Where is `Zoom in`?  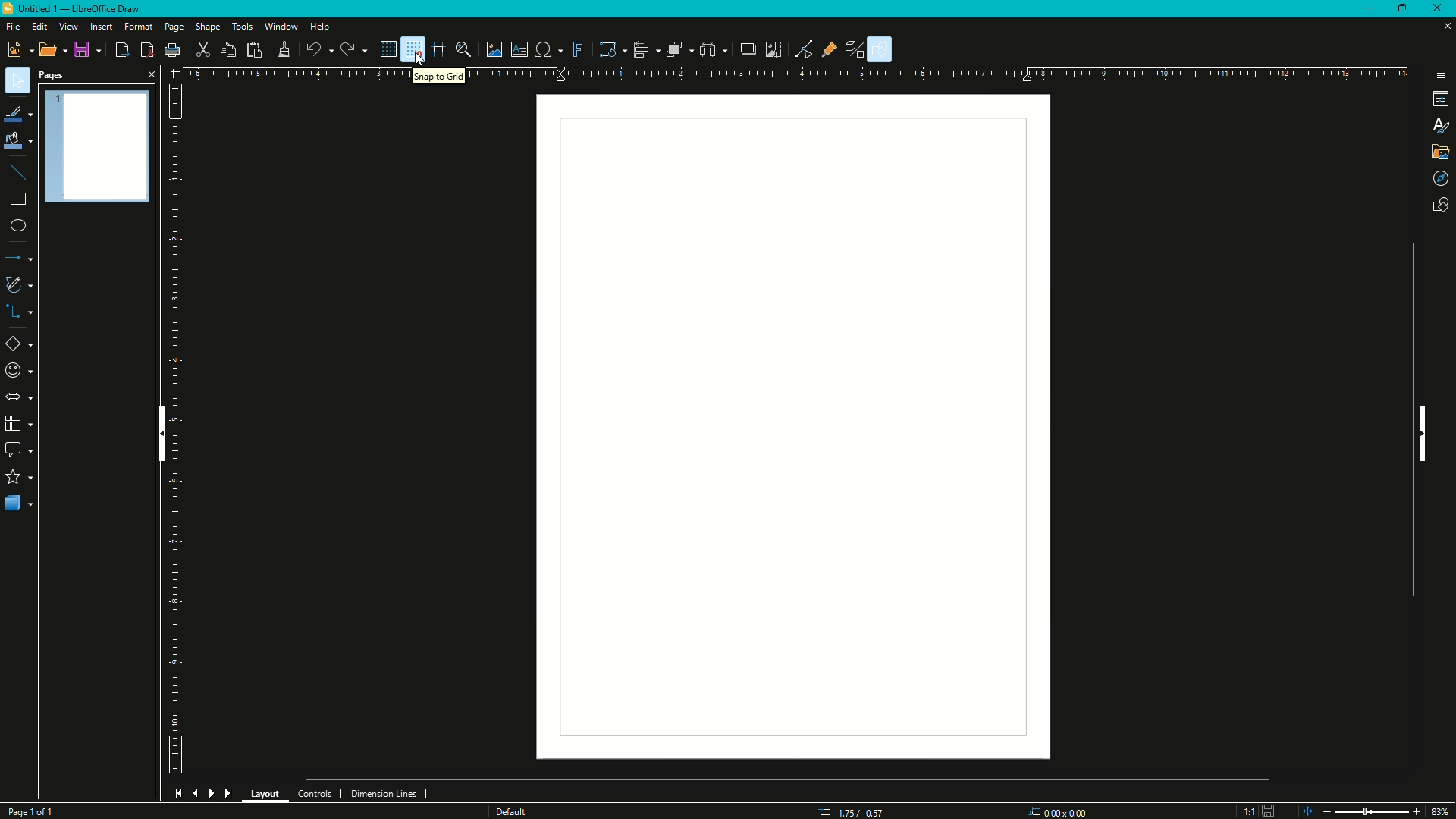
Zoom in is located at coordinates (1417, 810).